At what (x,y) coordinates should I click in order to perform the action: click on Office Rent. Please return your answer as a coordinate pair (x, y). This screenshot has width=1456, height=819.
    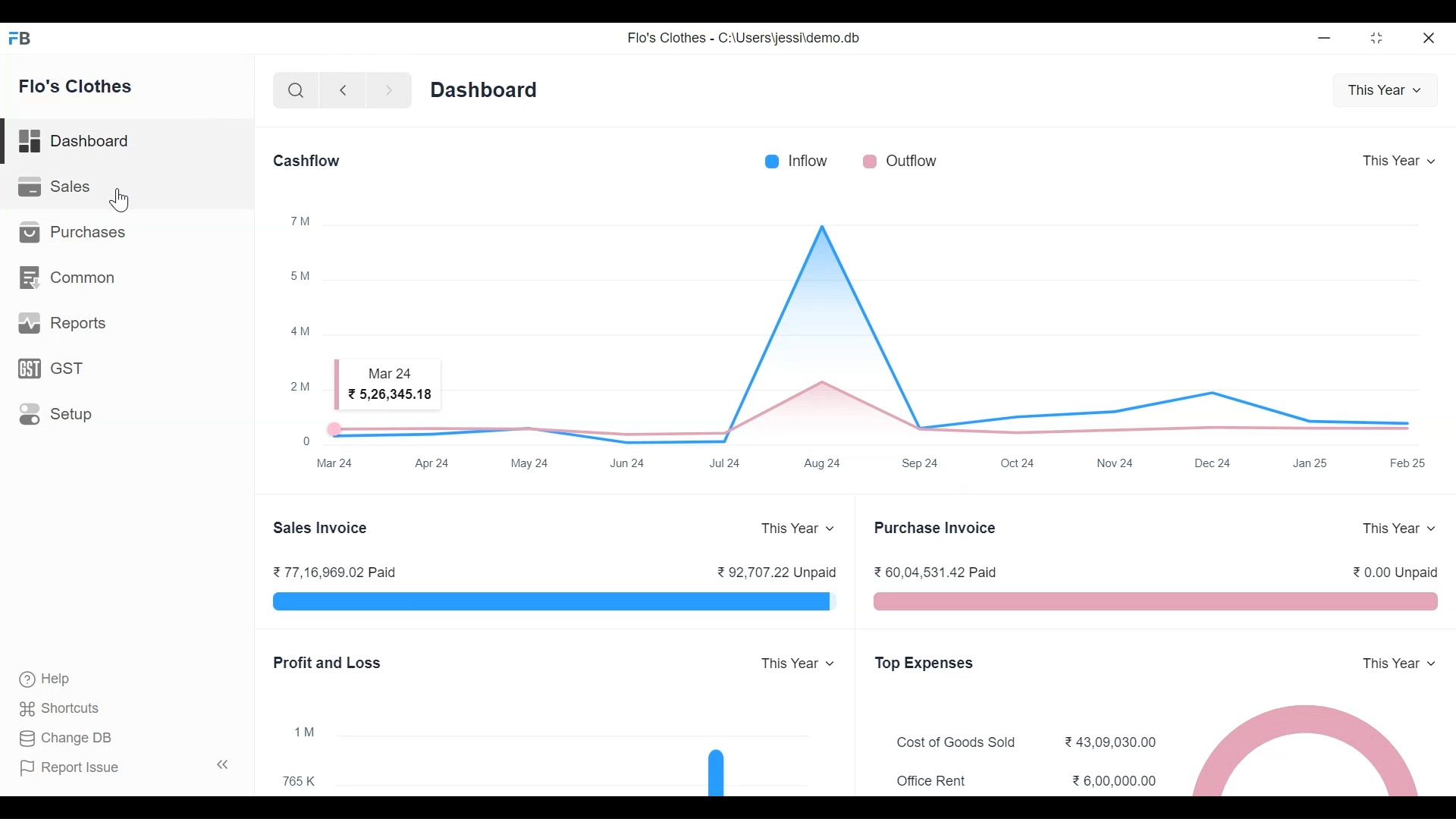
    Looking at the image, I should click on (933, 780).